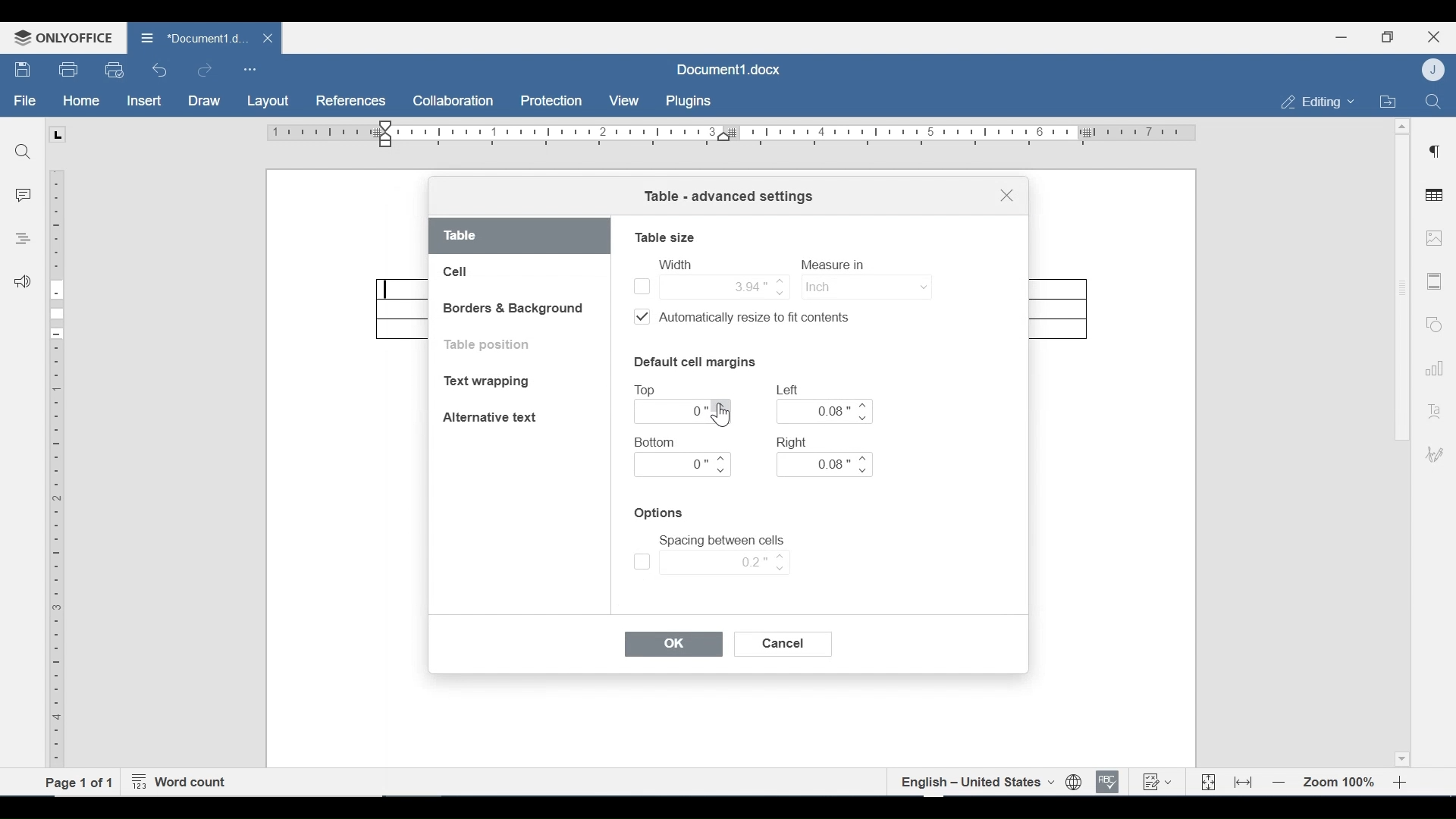 Image resolution: width=1456 pixels, height=819 pixels. I want to click on Find, so click(22, 149).